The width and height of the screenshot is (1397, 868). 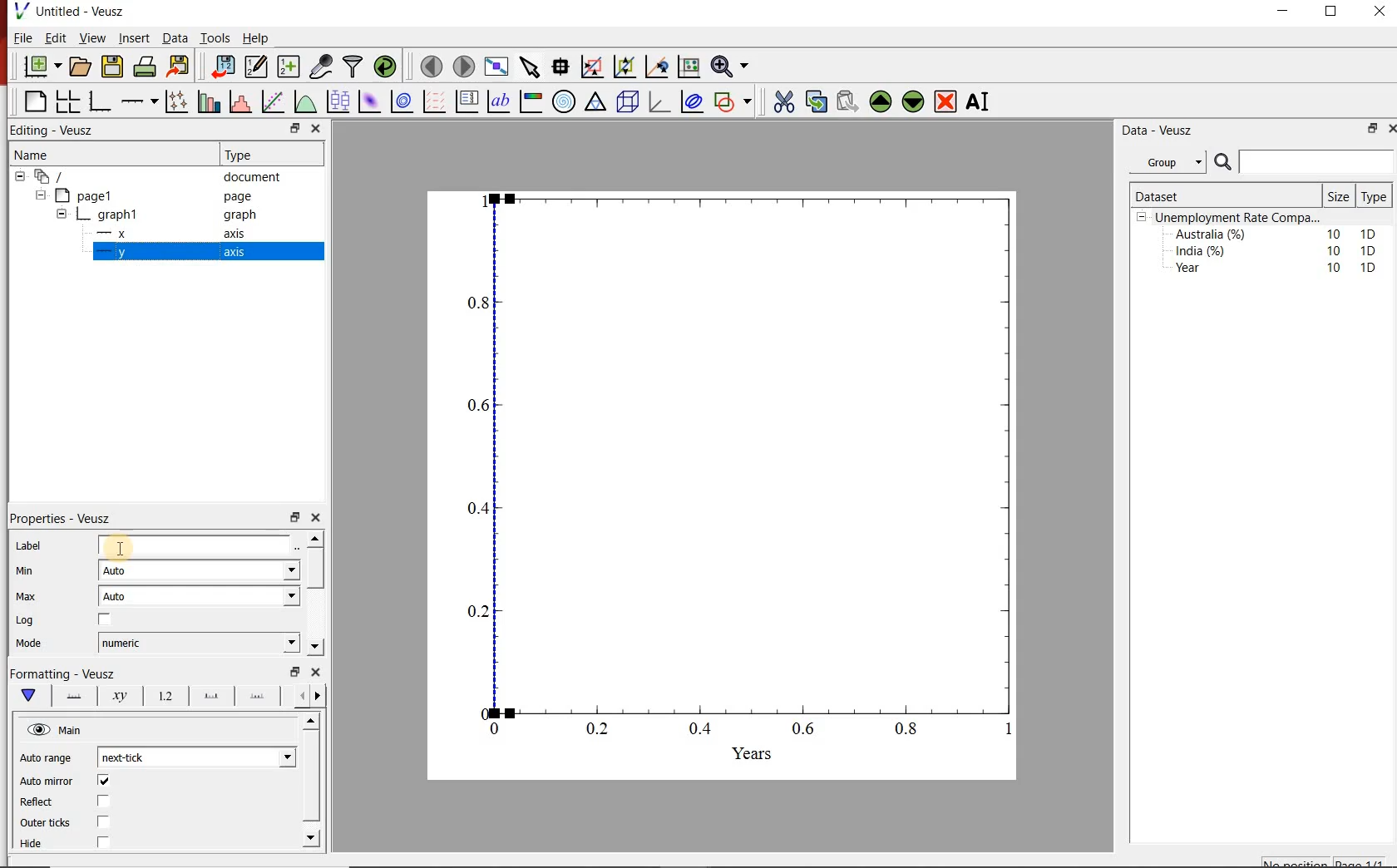 I want to click on read the data points, so click(x=562, y=66).